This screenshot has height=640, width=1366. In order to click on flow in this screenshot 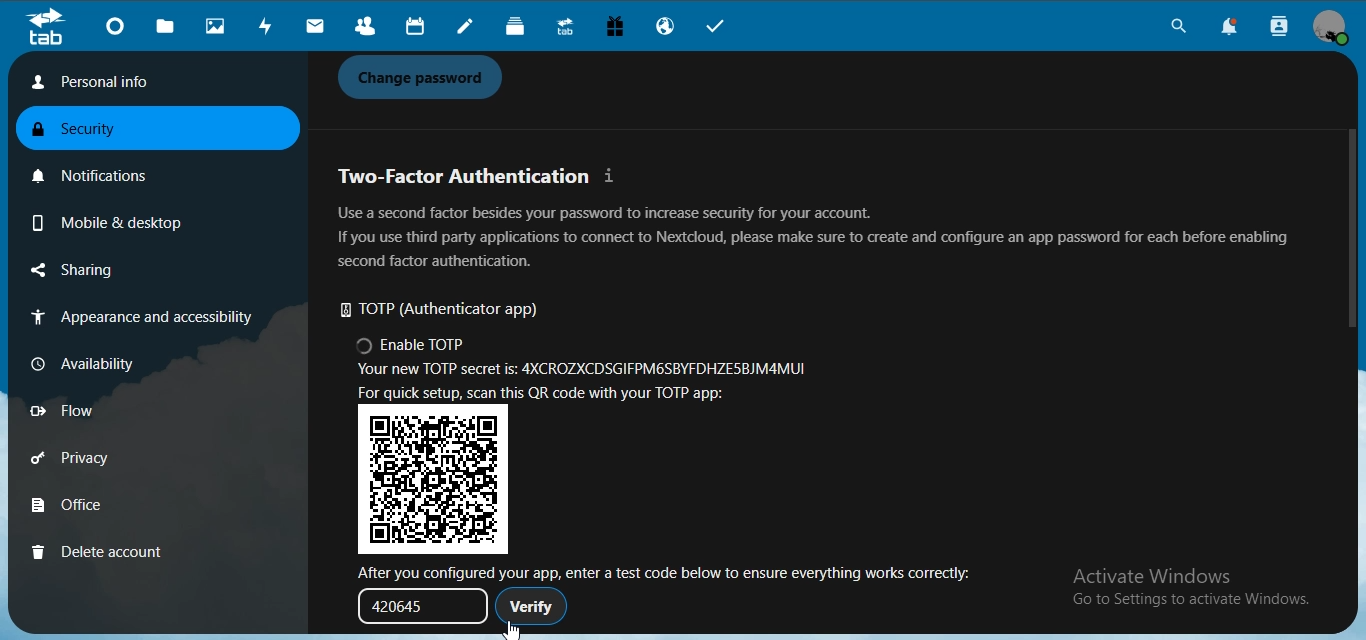, I will do `click(94, 411)`.